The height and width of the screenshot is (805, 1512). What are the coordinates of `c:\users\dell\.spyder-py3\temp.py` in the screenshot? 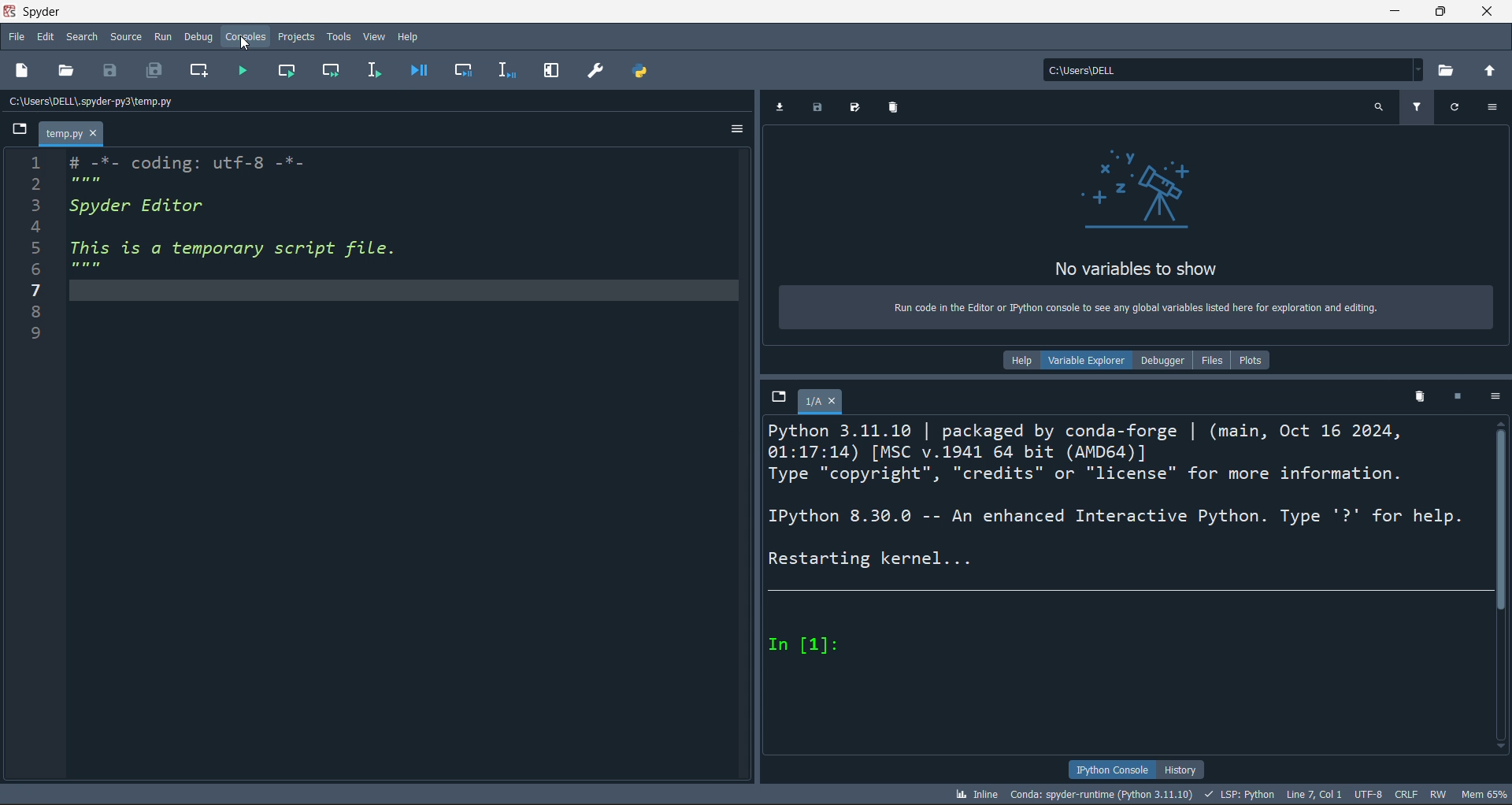 It's located at (96, 104).